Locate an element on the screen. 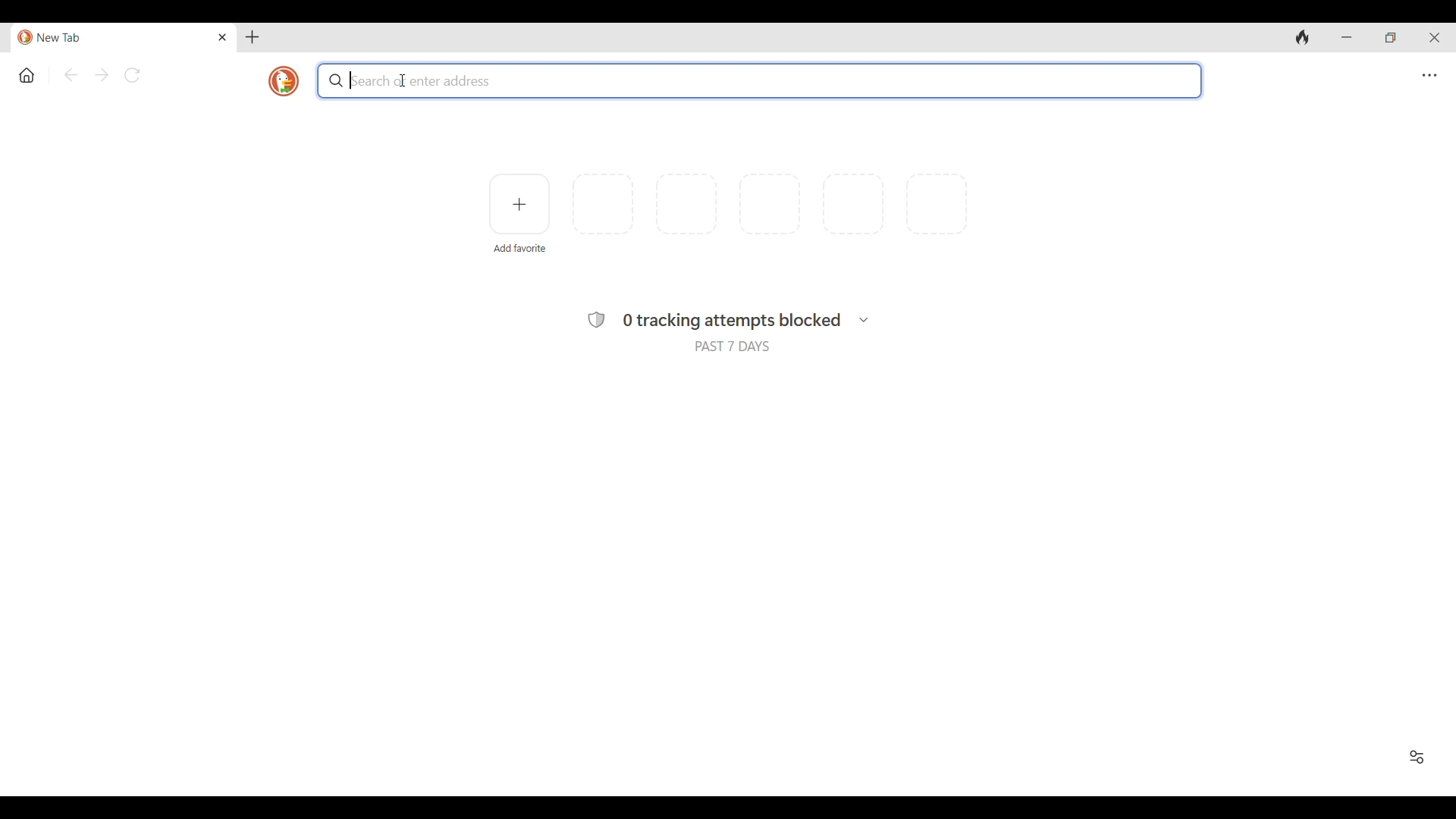 The width and height of the screenshot is (1456, 819). Current/Open tab is located at coordinates (112, 38).